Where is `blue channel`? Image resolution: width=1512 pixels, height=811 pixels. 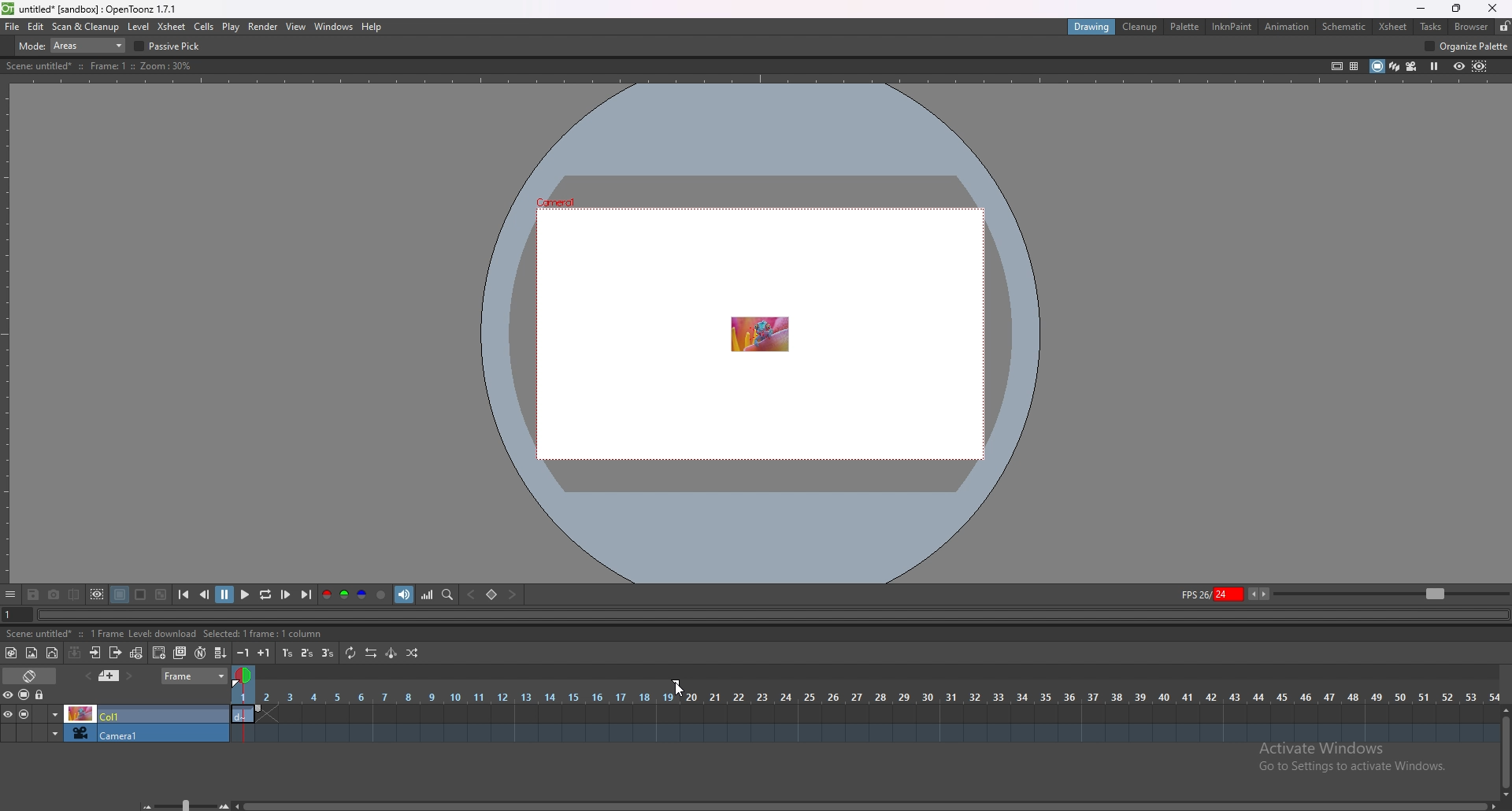 blue channel is located at coordinates (362, 594).